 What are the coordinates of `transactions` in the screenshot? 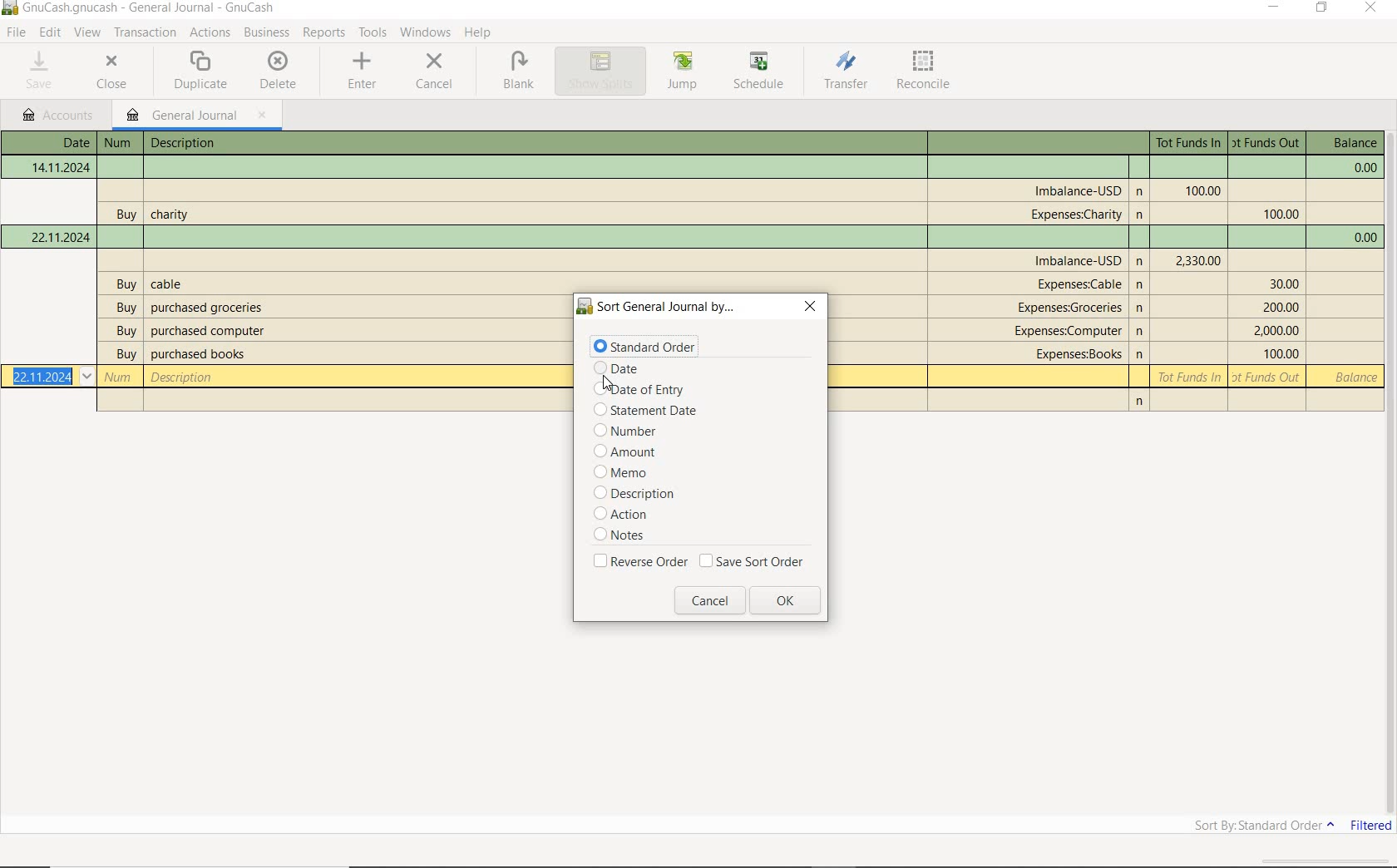 It's located at (148, 32).